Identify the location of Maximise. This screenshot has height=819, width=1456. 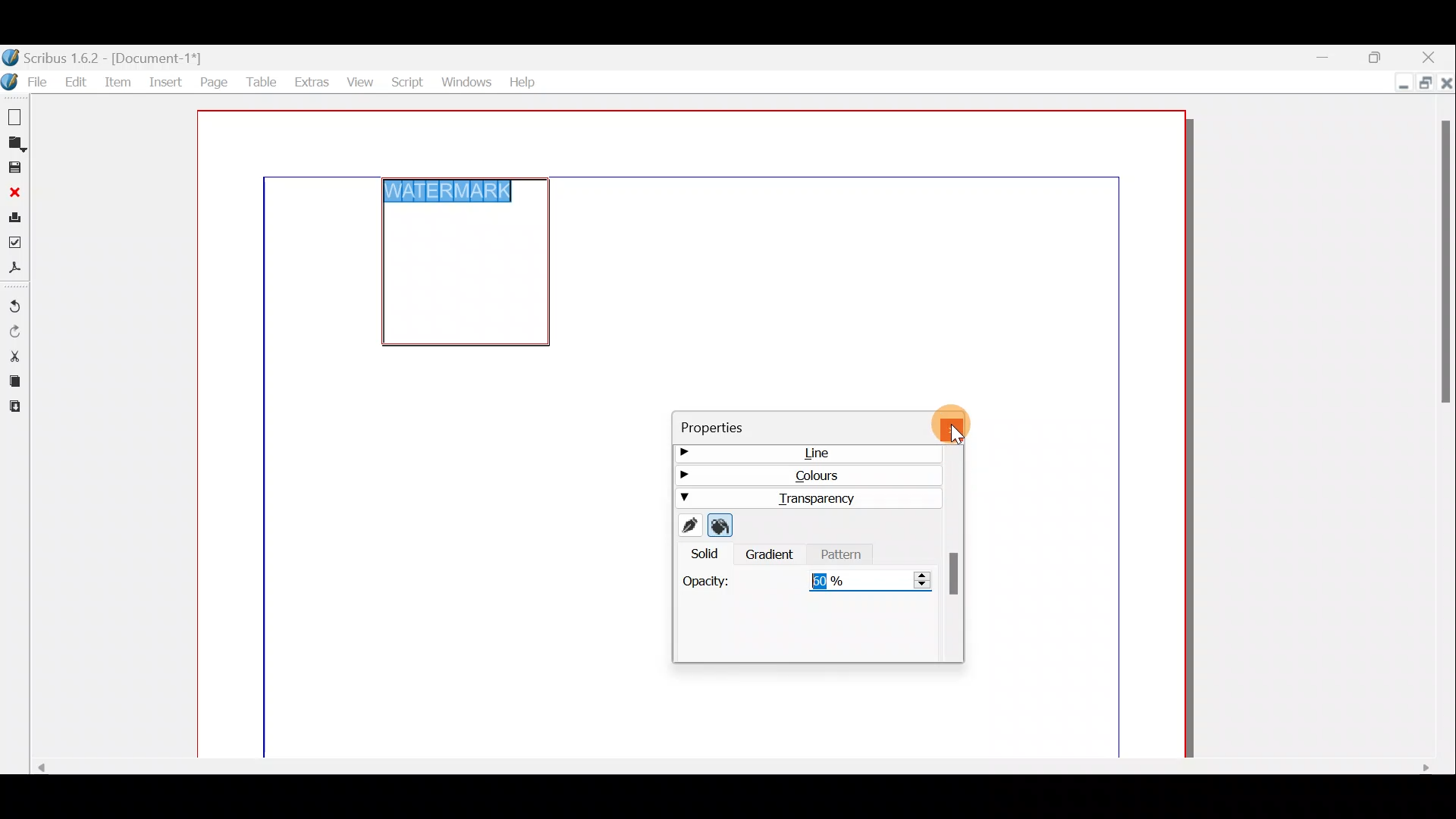
(1423, 81).